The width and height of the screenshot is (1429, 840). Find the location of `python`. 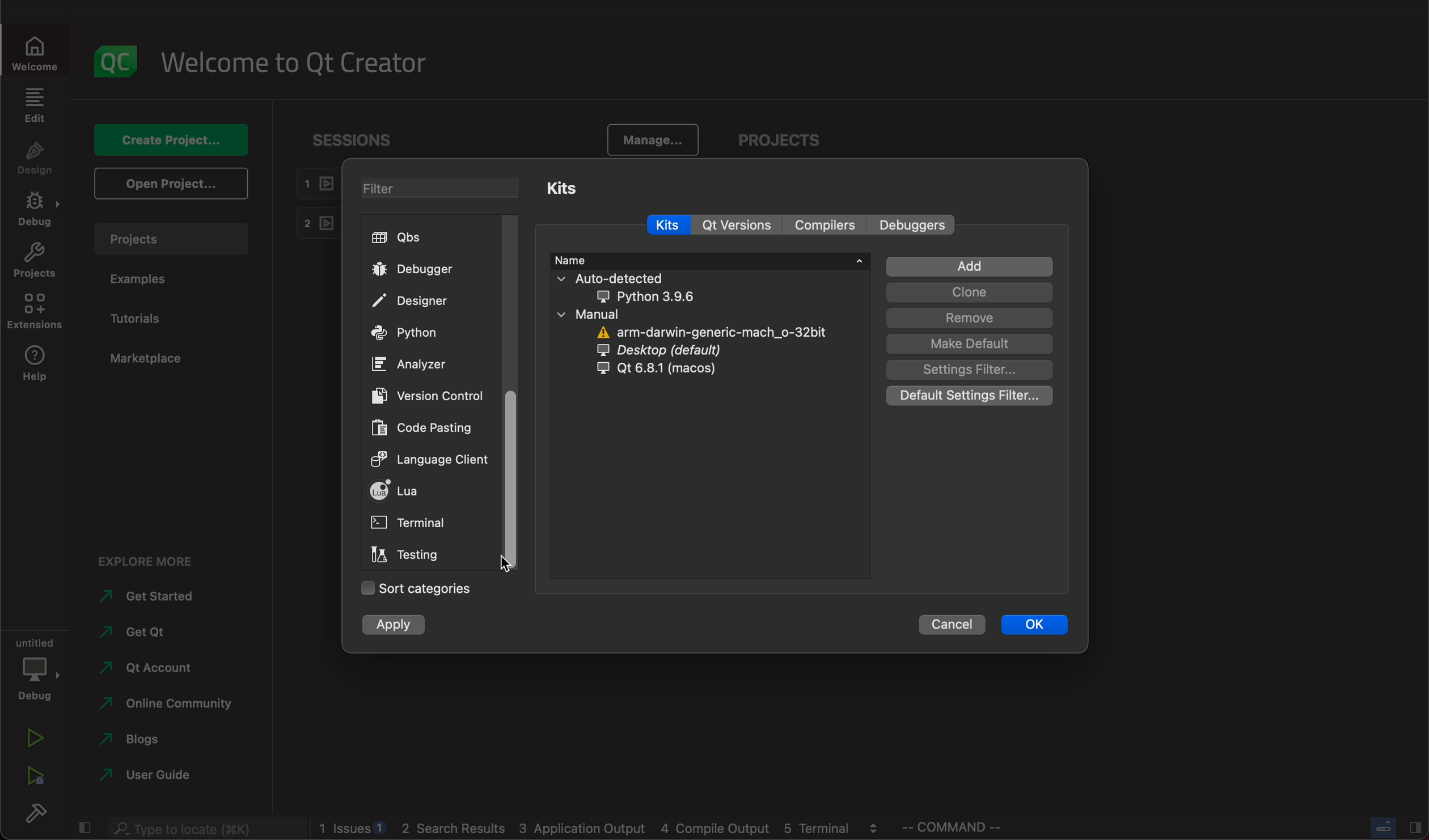

python is located at coordinates (412, 333).